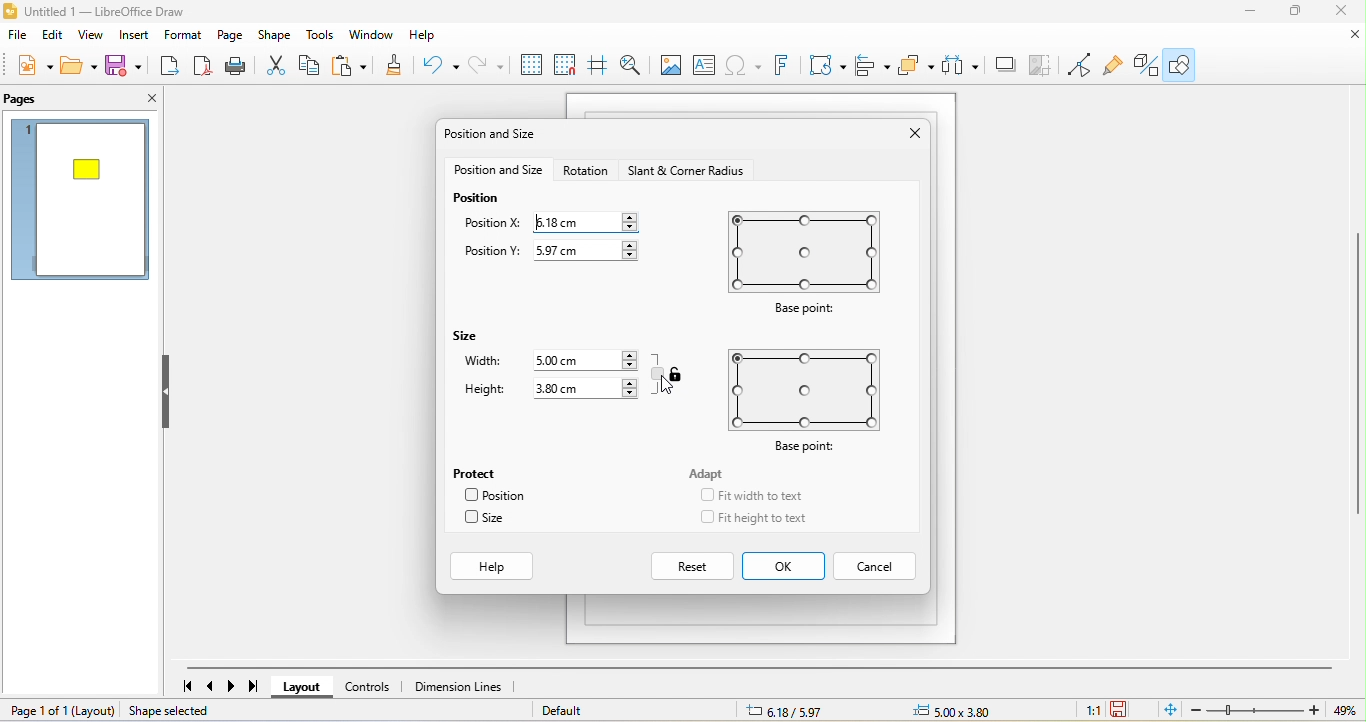  What do you see at coordinates (28, 67) in the screenshot?
I see `new` at bounding box center [28, 67].